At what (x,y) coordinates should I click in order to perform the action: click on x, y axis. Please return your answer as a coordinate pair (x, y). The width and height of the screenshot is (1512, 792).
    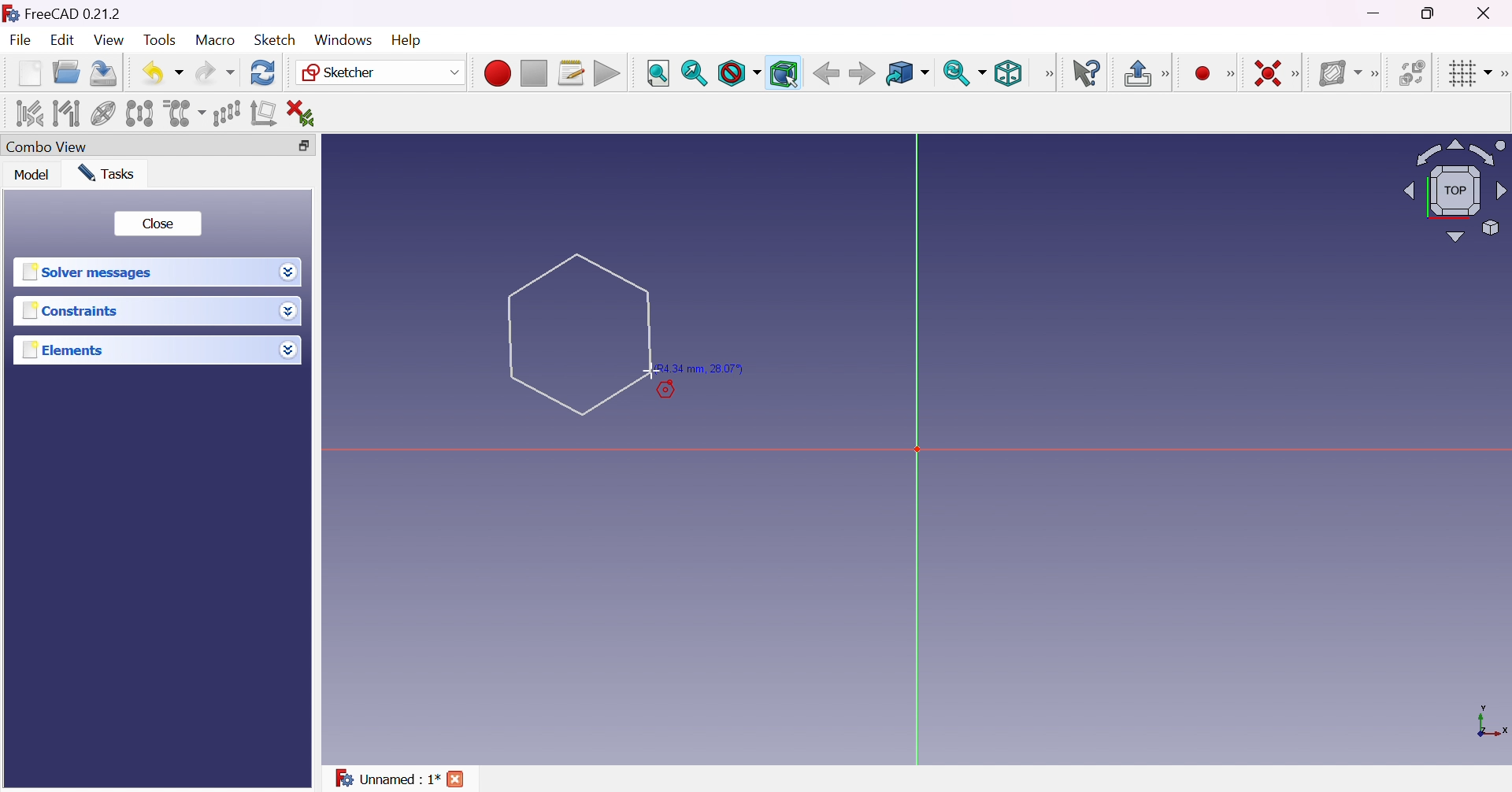
    Looking at the image, I should click on (1489, 724).